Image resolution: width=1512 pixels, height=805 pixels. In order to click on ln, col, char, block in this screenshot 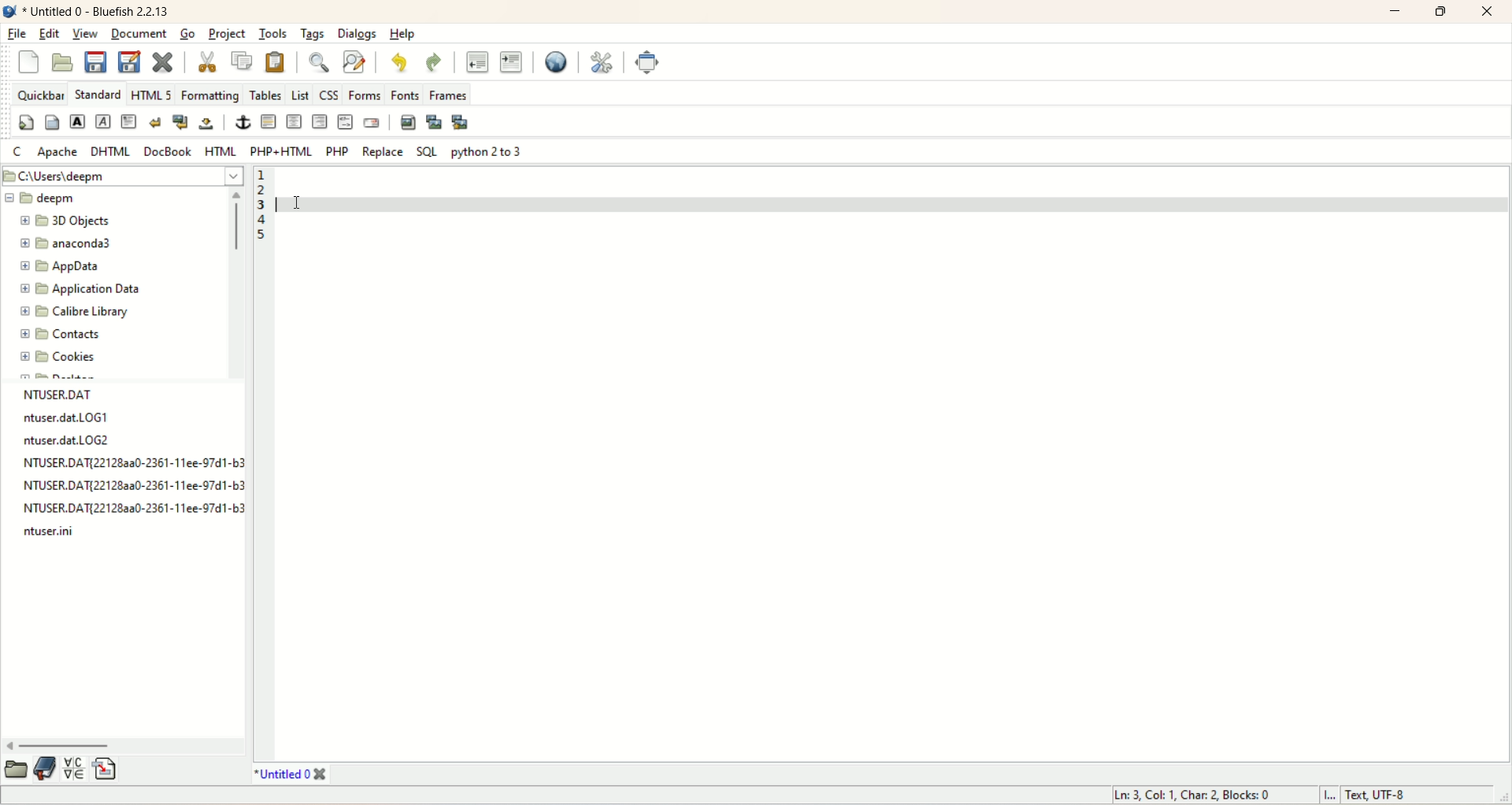, I will do `click(1192, 797)`.